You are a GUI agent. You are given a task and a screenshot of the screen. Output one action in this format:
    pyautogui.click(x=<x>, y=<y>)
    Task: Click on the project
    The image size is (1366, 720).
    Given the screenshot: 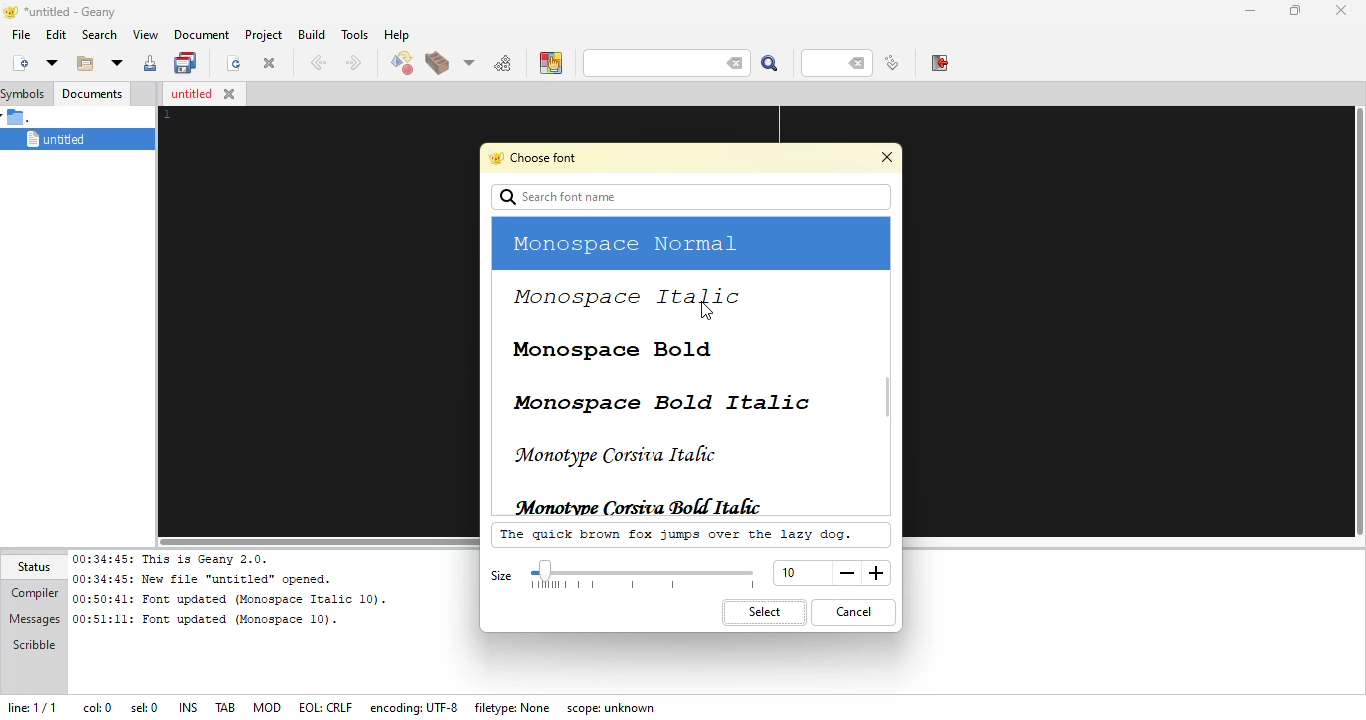 What is the action you would take?
    pyautogui.click(x=263, y=34)
    